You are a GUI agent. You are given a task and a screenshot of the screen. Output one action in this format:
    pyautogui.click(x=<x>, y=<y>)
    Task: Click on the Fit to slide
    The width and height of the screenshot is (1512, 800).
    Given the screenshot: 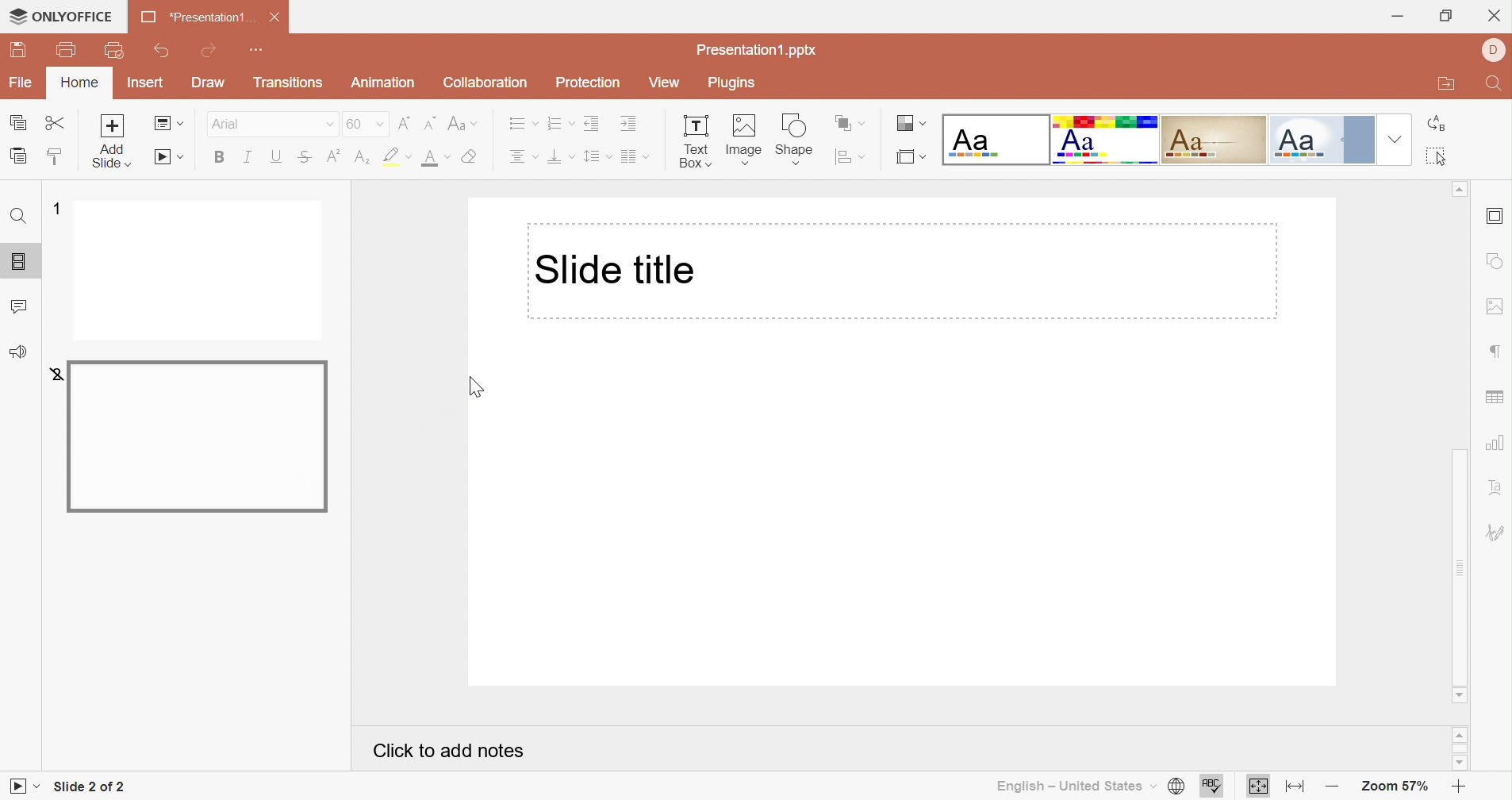 What is the action you would take?
    pyautogui.click(x=1261, y=785)
    